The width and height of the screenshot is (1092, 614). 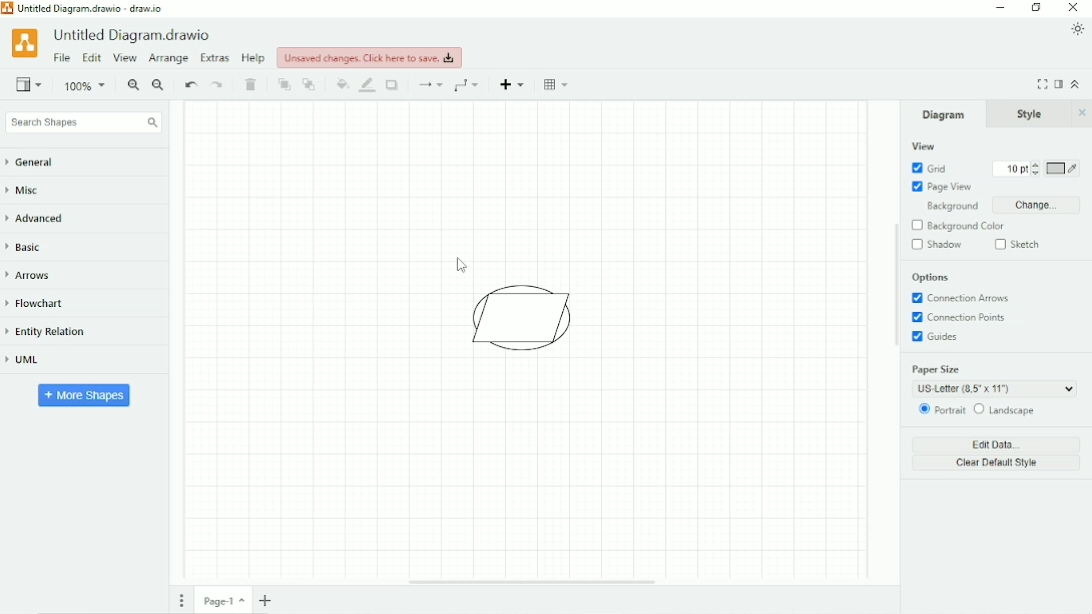 I want to click on Vertical scrollbar, so click(x=894, y=286).